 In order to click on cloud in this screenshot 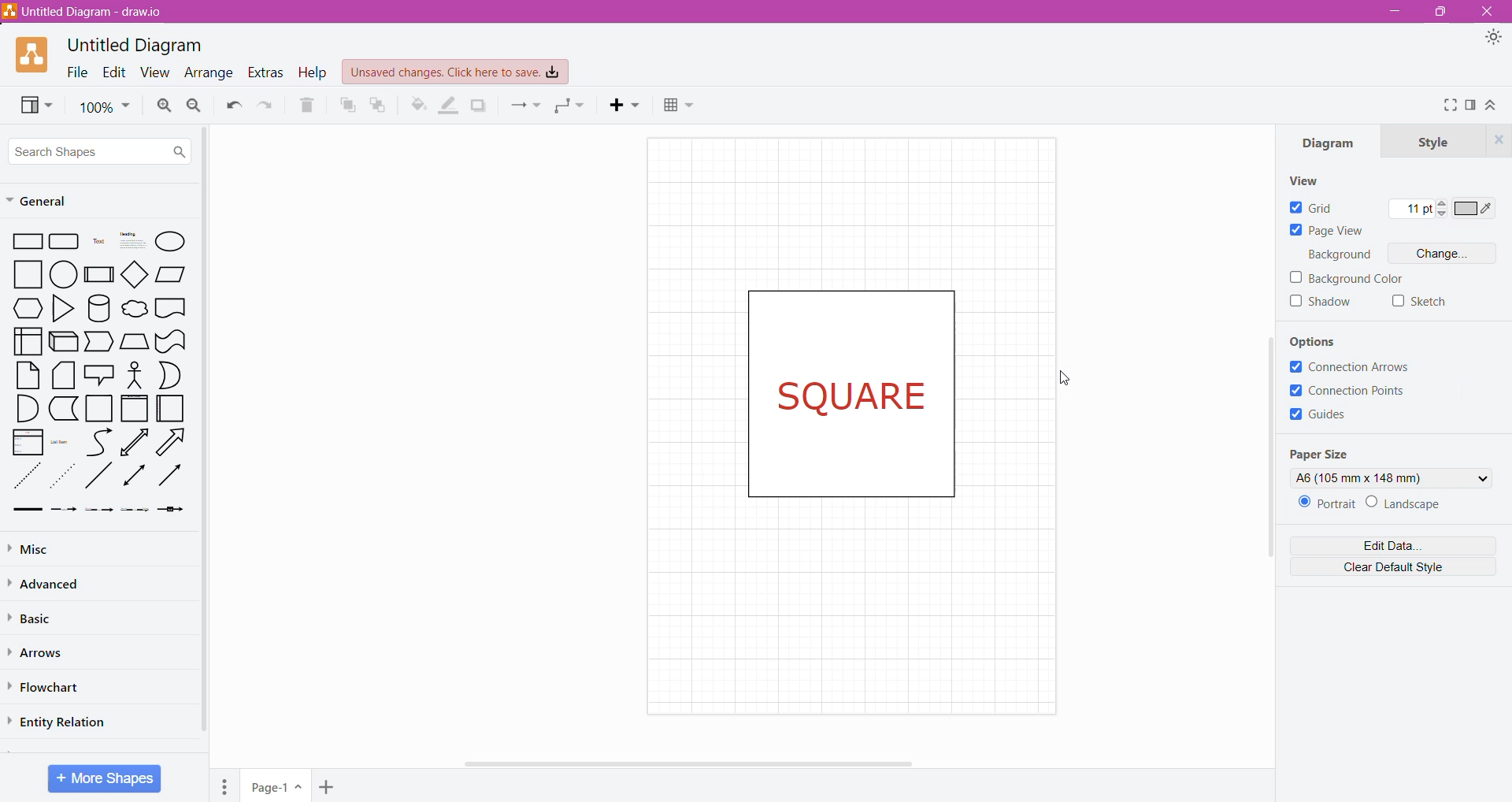, I will do `click(134, 310)`.